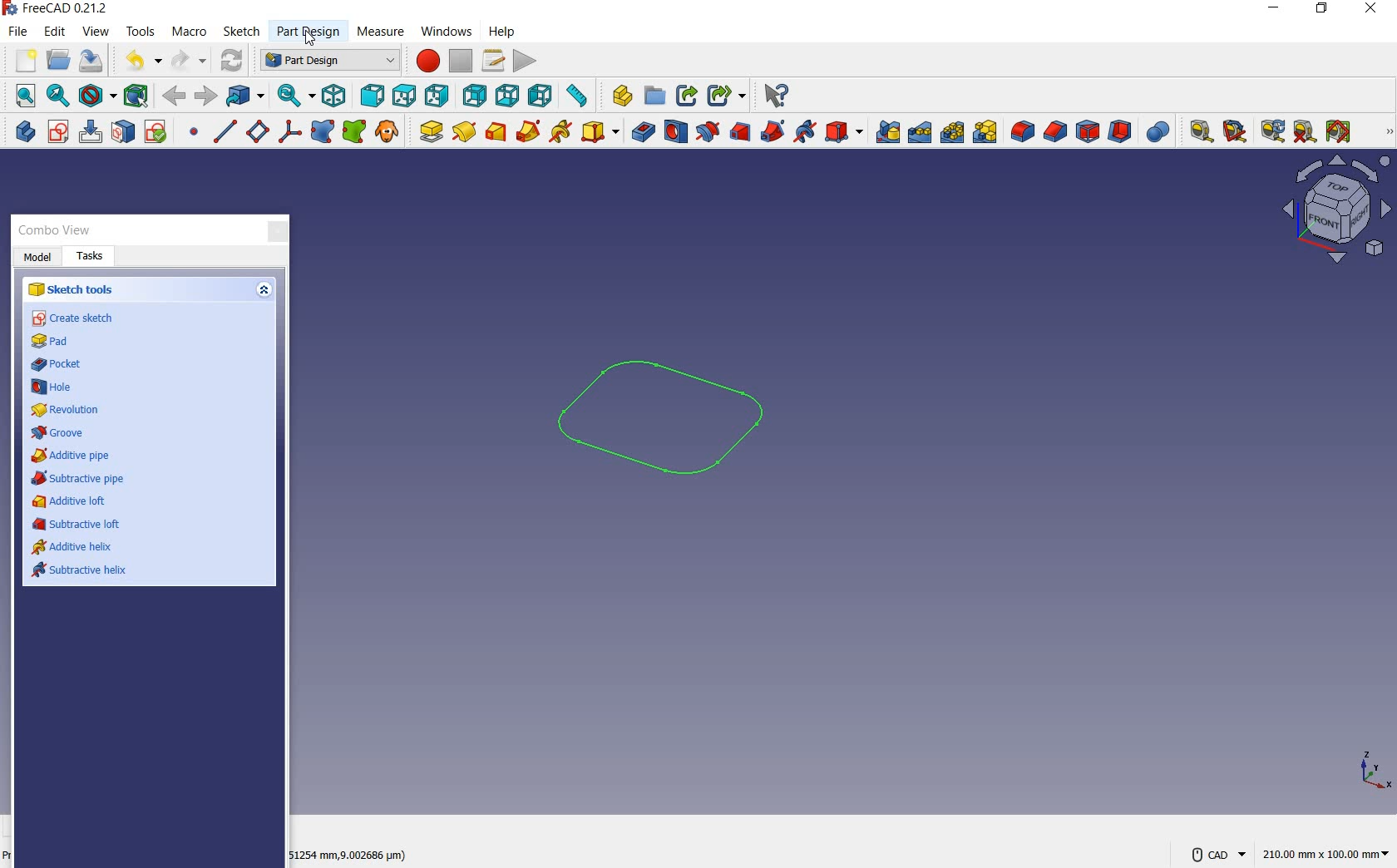 The width and height of the screenshot is (1397, 868). What do you see at coordinates (312, 32) in the screenshot?
I see `Part Design` at bounding box center [312, 32].